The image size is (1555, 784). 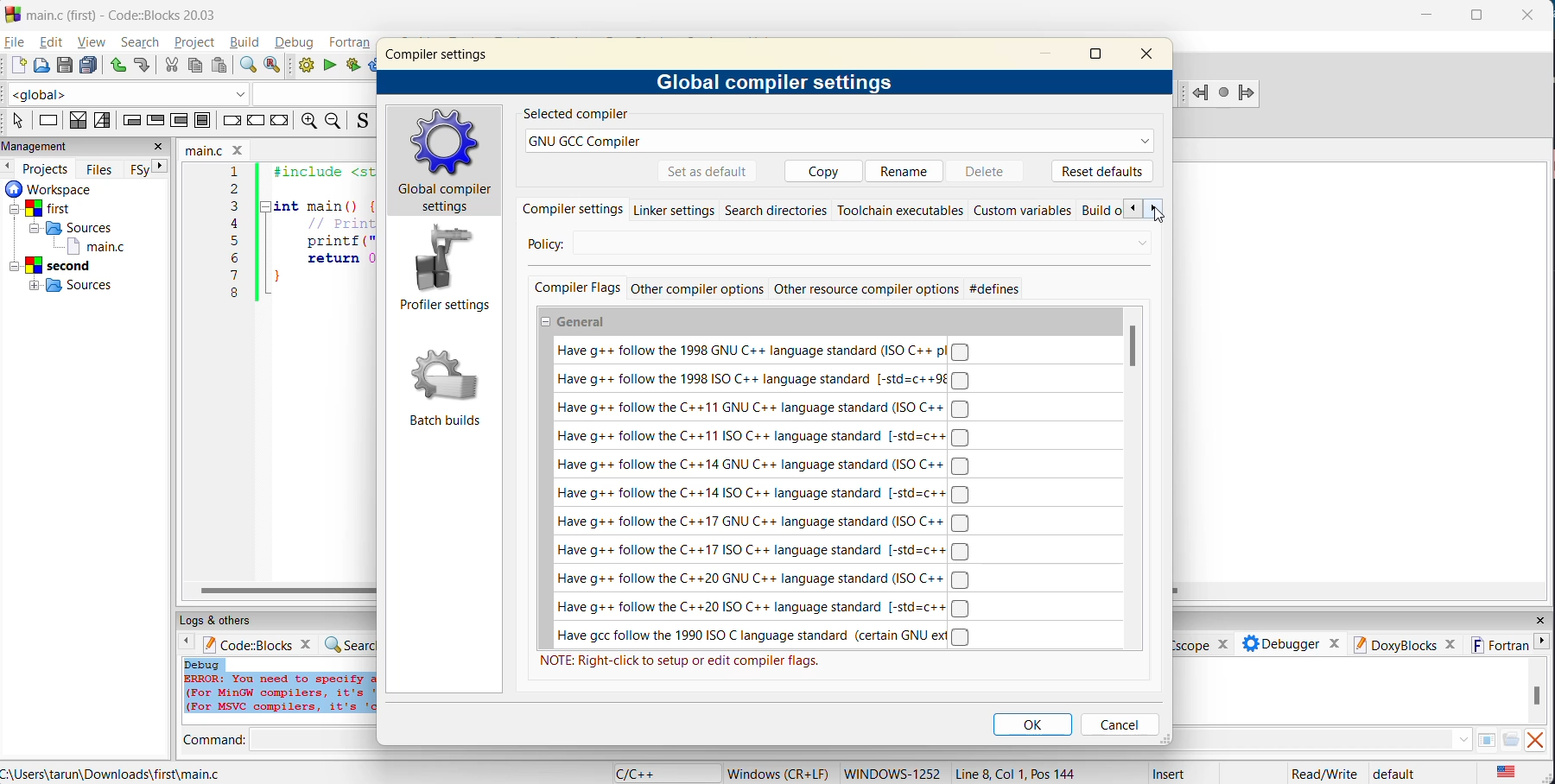 What do you see at coordinates (247, 67) in the screenshot?
I see `find` at bounding box center [247, 67].